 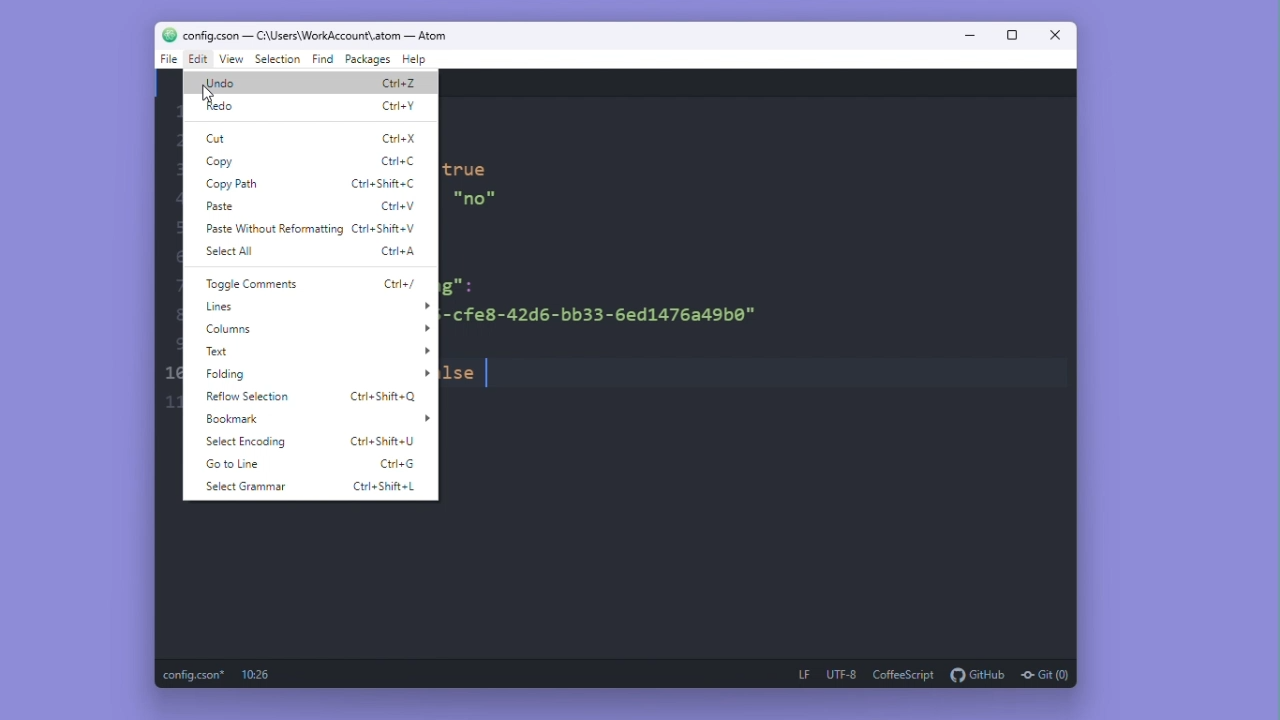 I want to click on ctrl+c, so click(x=401, y=159).